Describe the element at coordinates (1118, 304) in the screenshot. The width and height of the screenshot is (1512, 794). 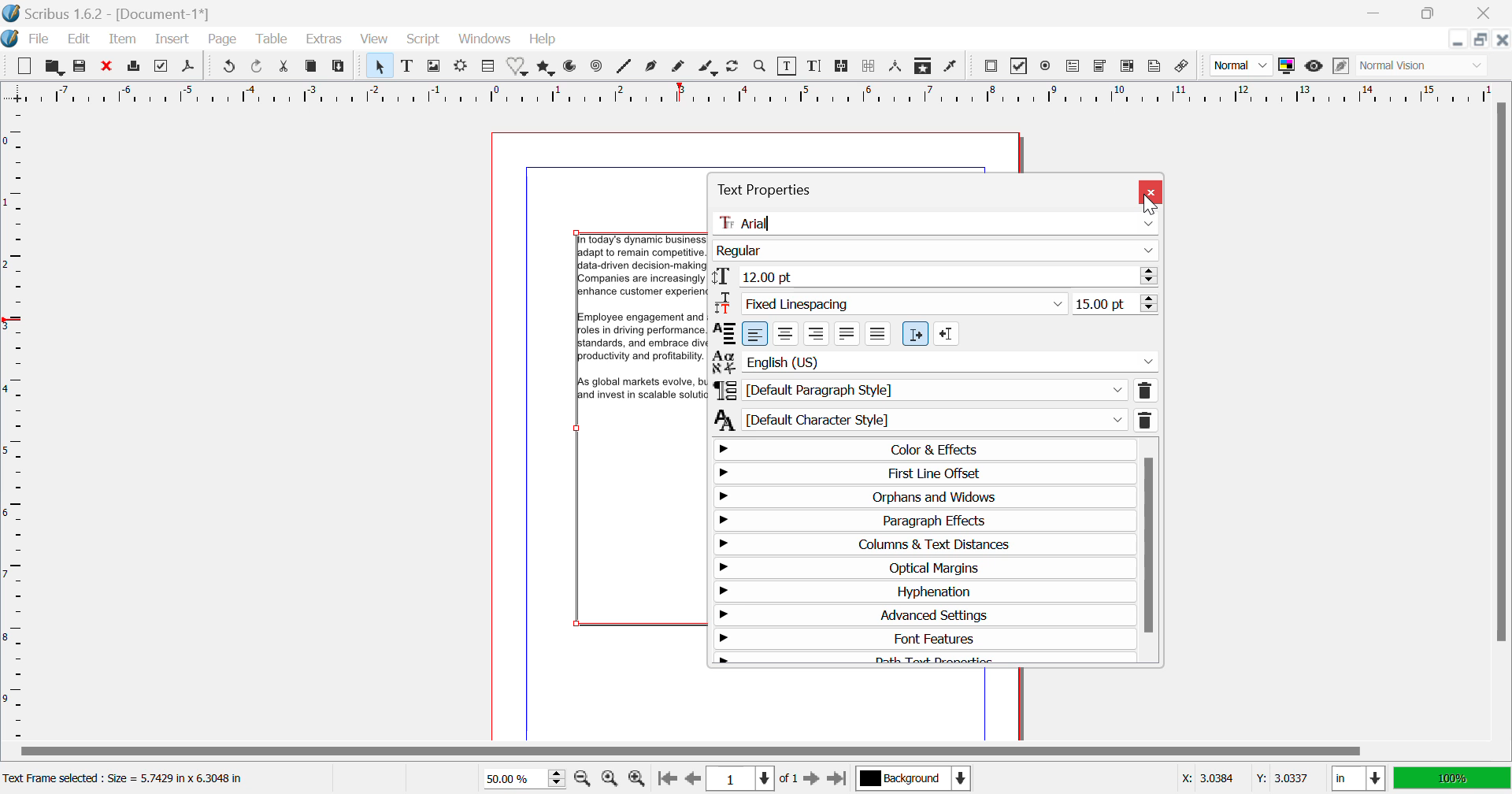
I see `Linespacing Value` at that location.